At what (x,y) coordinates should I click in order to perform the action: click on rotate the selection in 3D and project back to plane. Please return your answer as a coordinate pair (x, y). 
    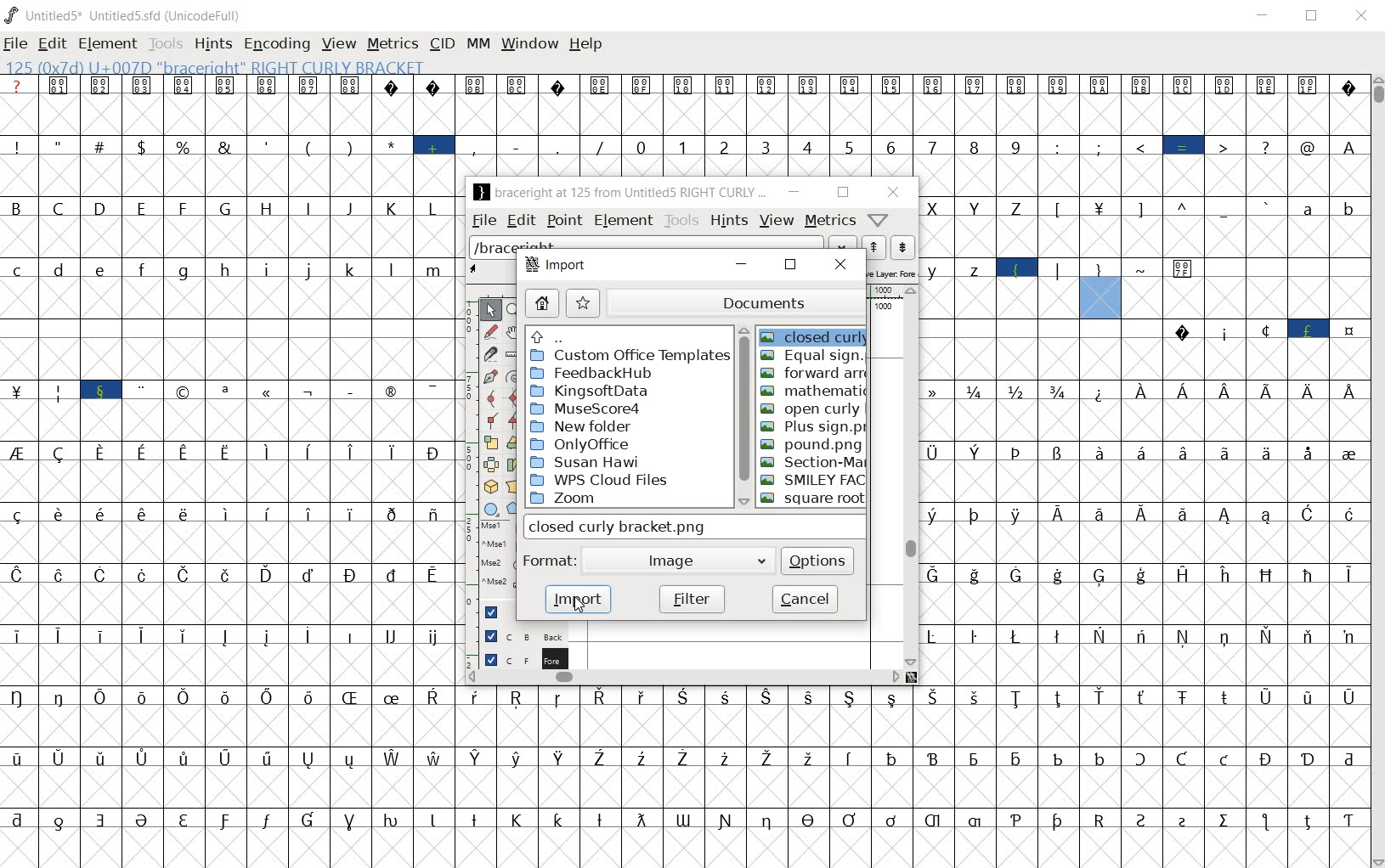
    Looking at the image, I should click on (489, 487).